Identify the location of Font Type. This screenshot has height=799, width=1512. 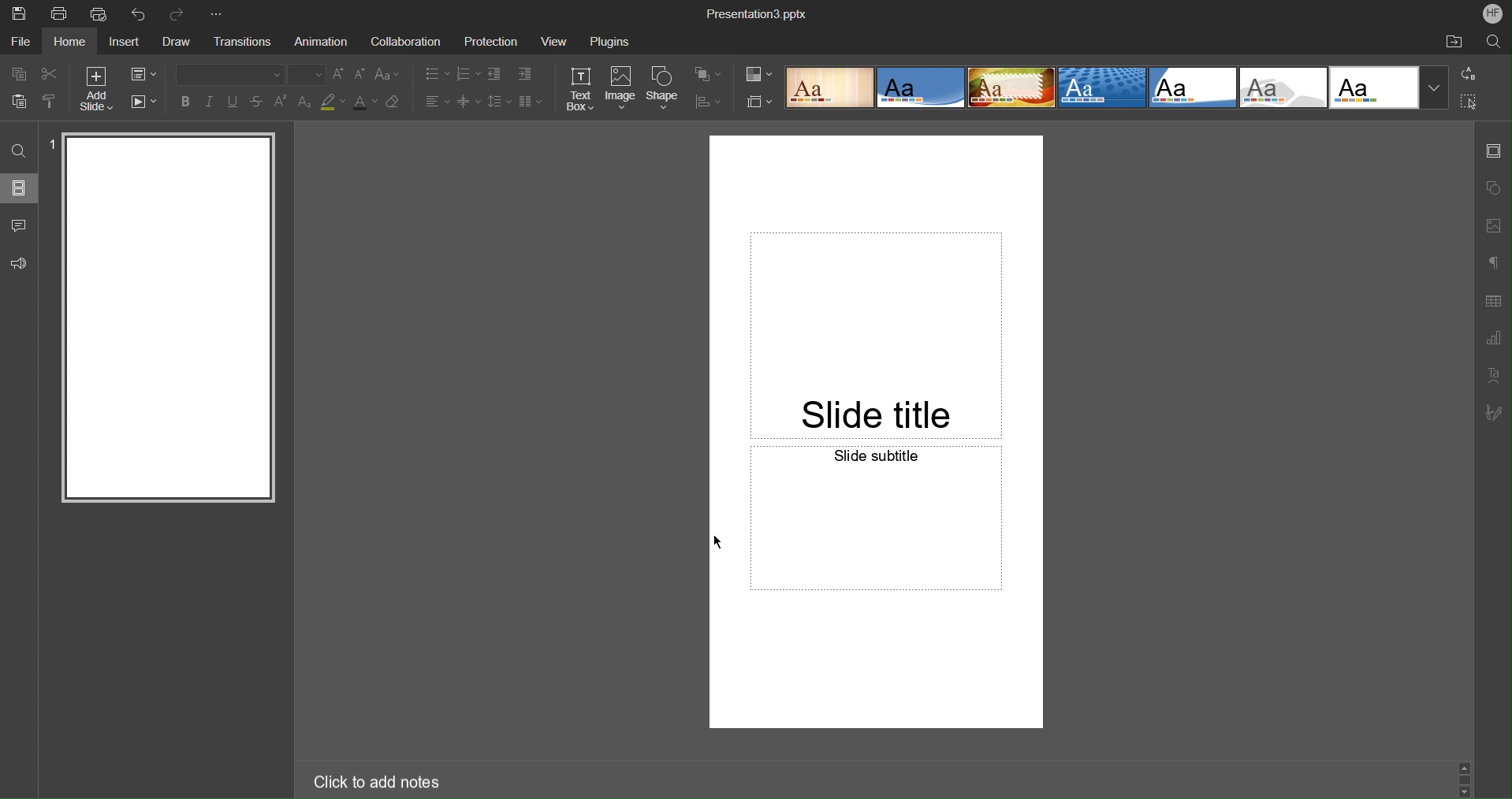
(225, 74).